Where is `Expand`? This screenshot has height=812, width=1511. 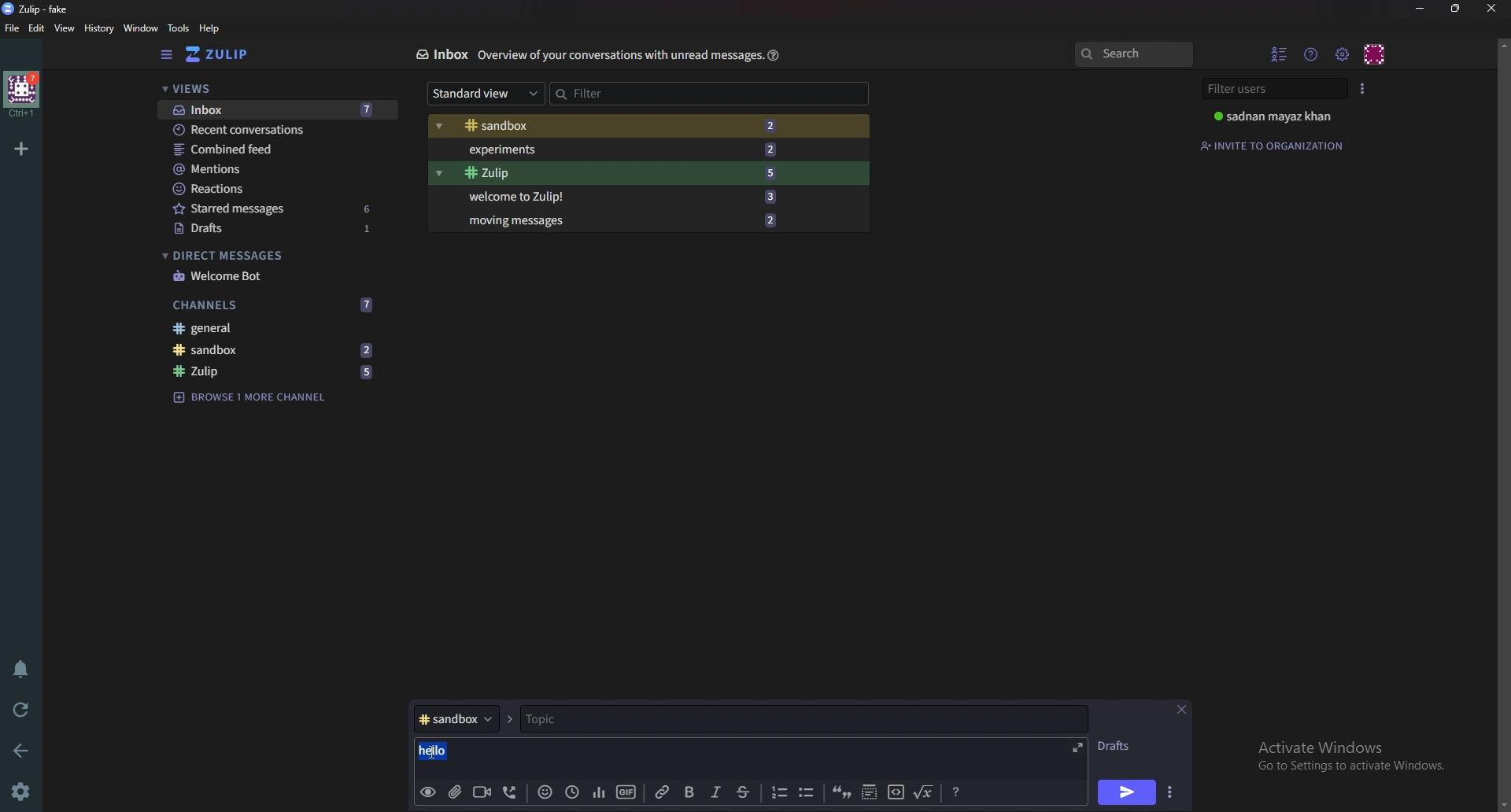 Expand is located at coordinates (1081, 746).